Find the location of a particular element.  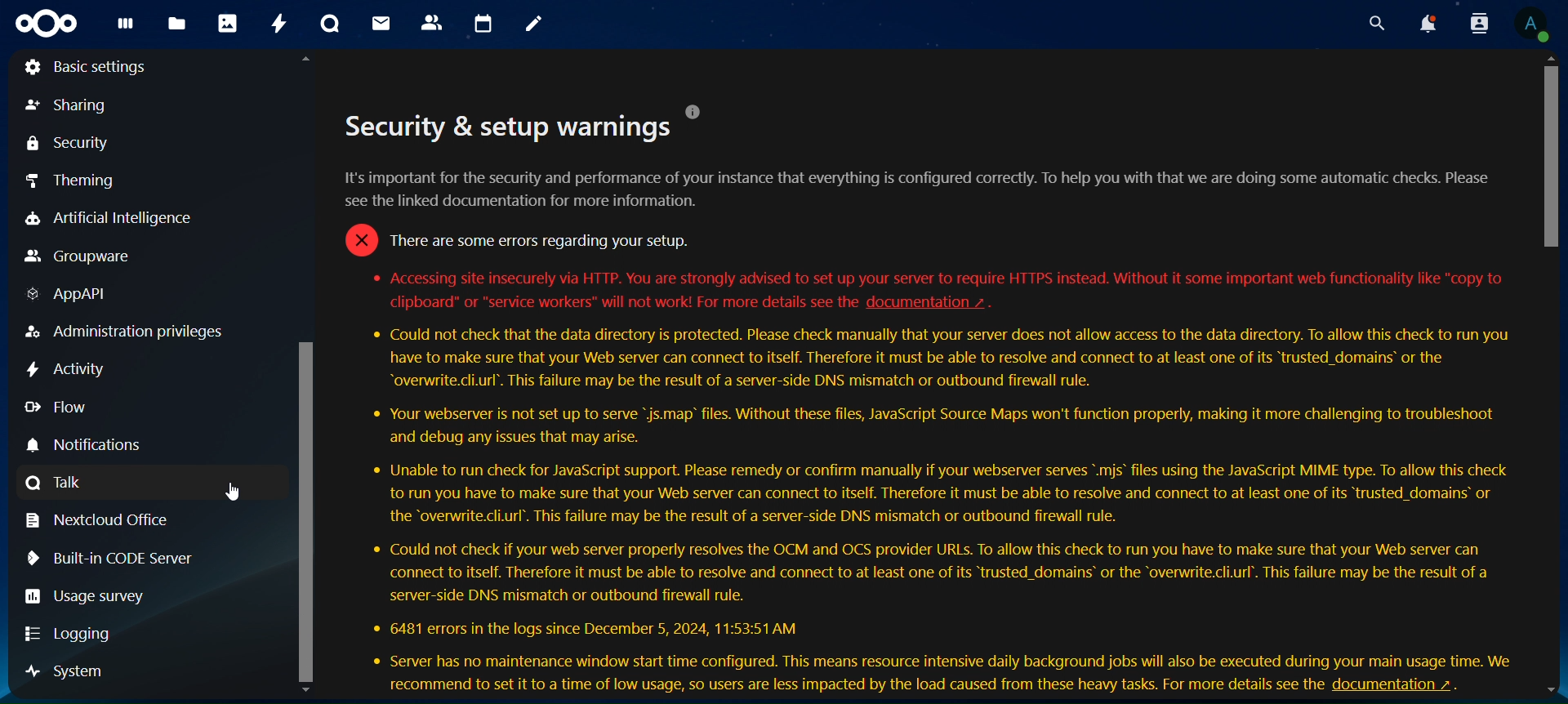

dashboard is located at coordinates (128, 28).